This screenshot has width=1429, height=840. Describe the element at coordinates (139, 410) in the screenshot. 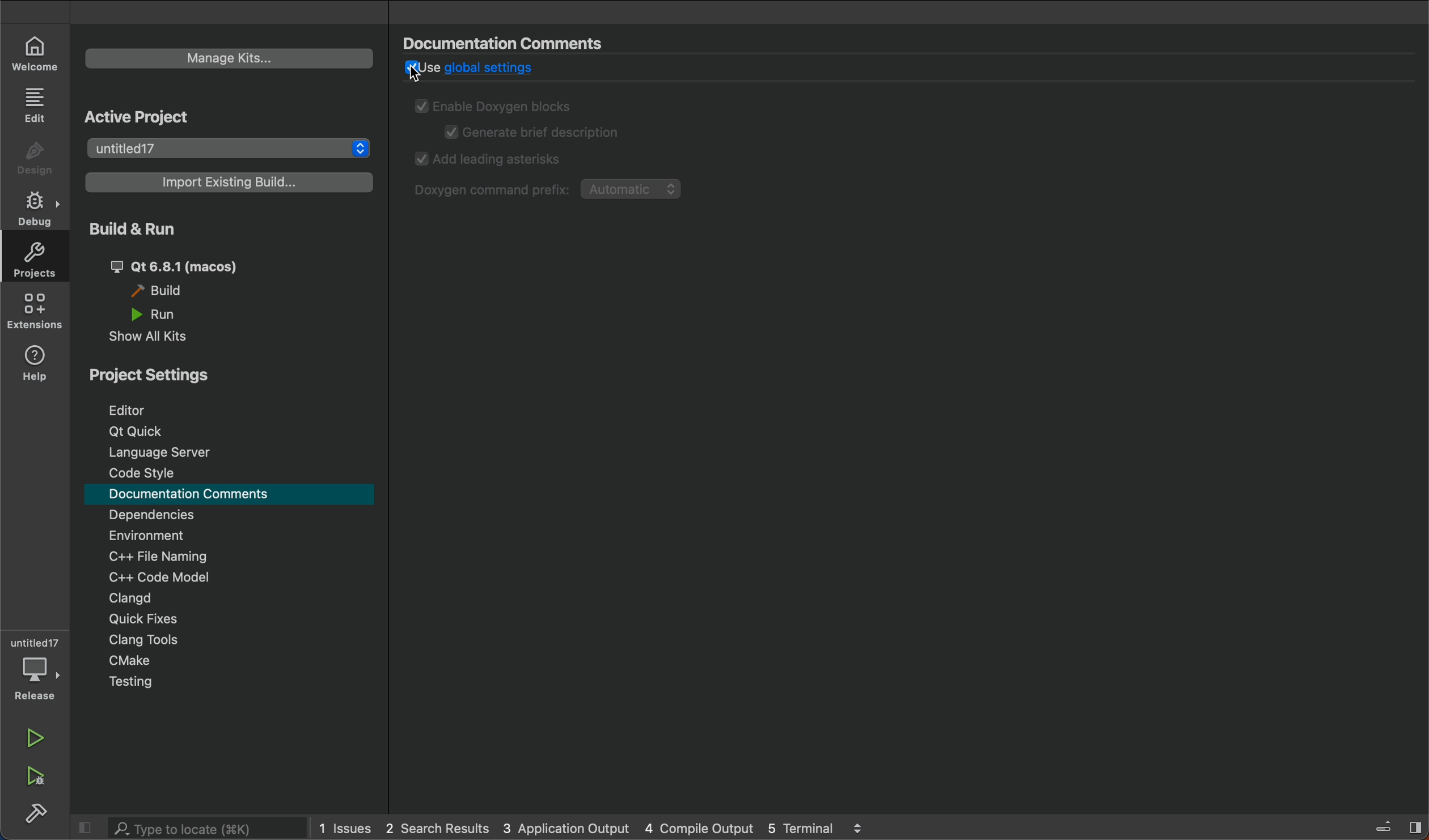

I see `editor` at that location.